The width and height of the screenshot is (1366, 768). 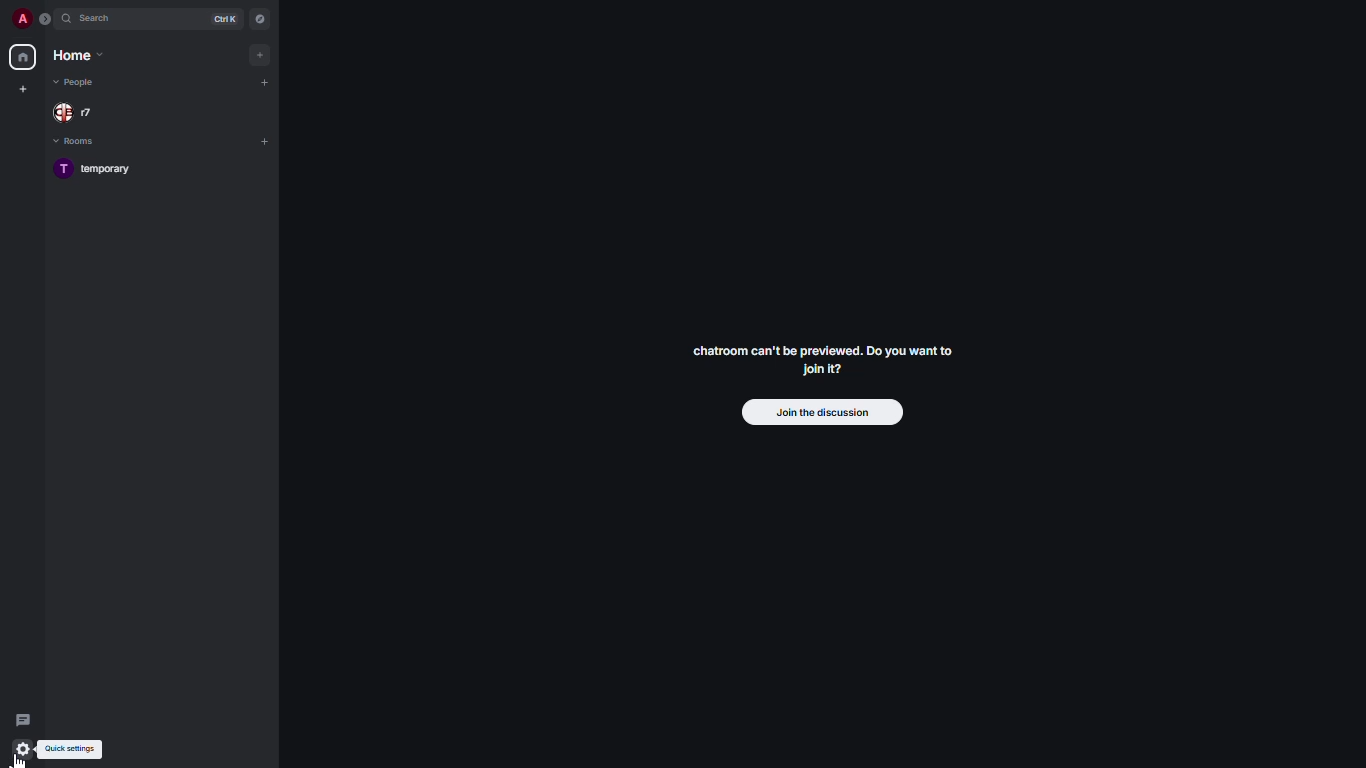 I want to click on home, so click(x=79, y=55).